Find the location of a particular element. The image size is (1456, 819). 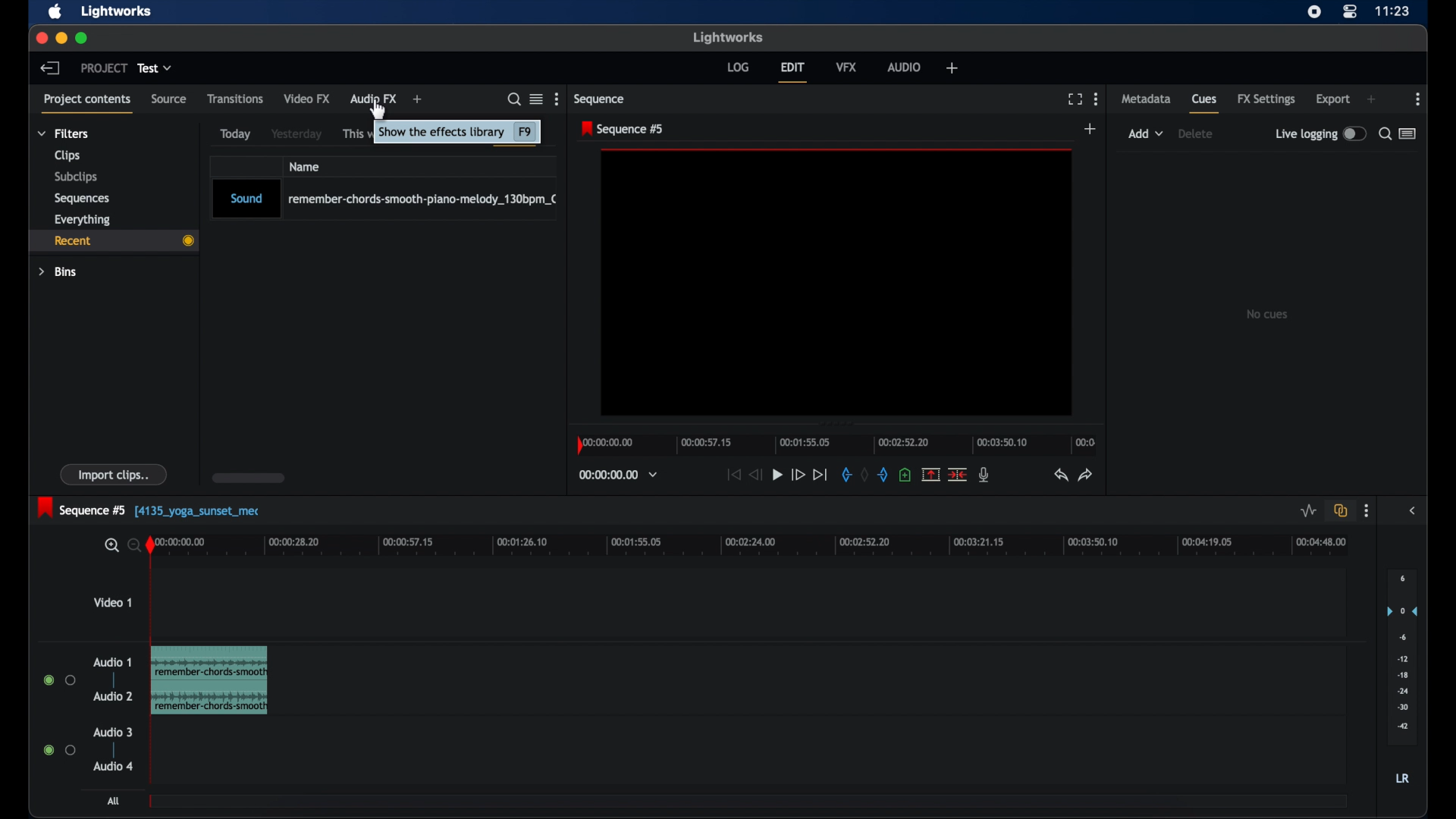

add is located at coordinates (1371, 99).